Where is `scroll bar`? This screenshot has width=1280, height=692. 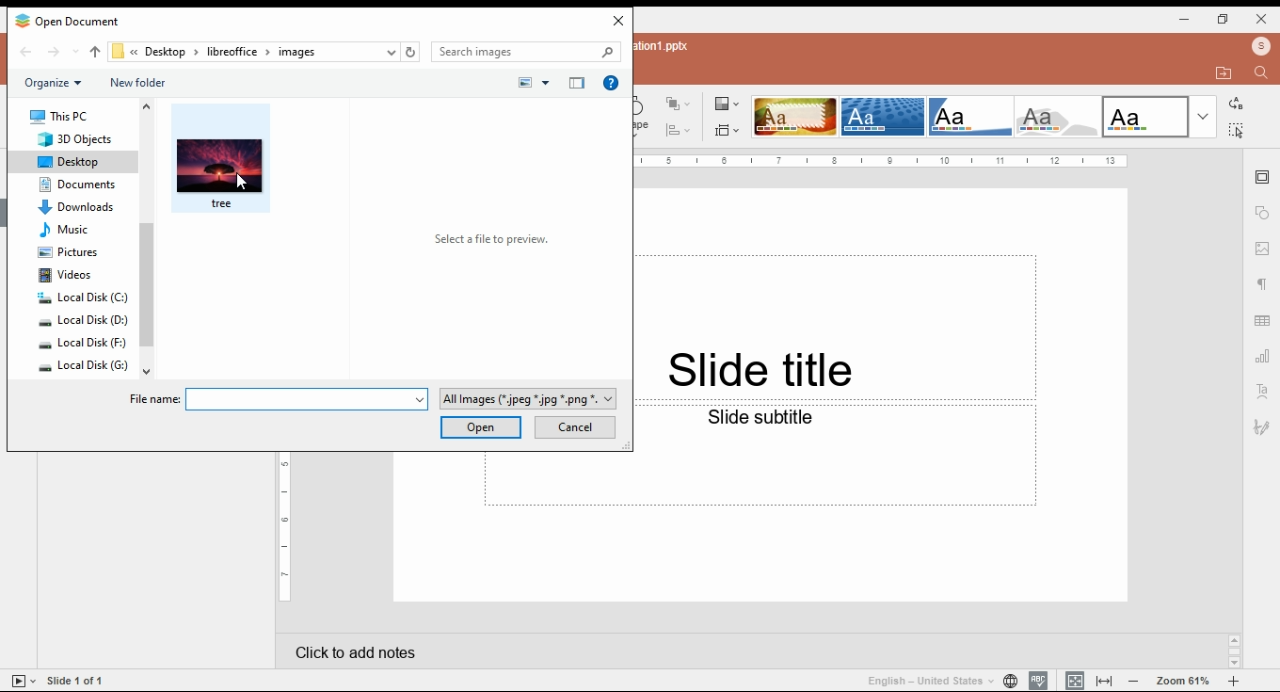 scroll bar is located at coordinates (146, 237).